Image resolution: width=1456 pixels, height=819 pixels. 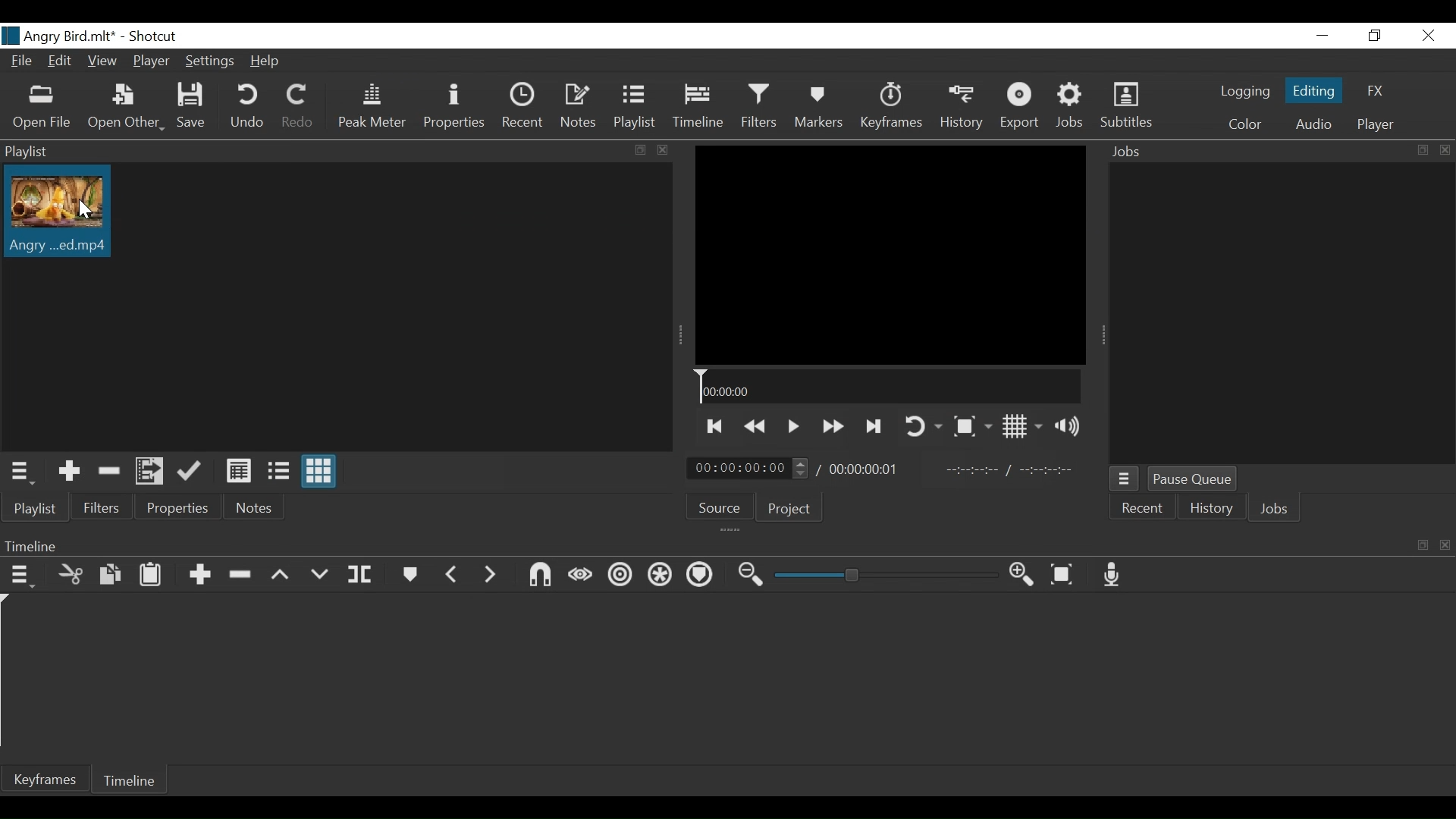 I want to click on Keyframe, so click(x=44, y=780).